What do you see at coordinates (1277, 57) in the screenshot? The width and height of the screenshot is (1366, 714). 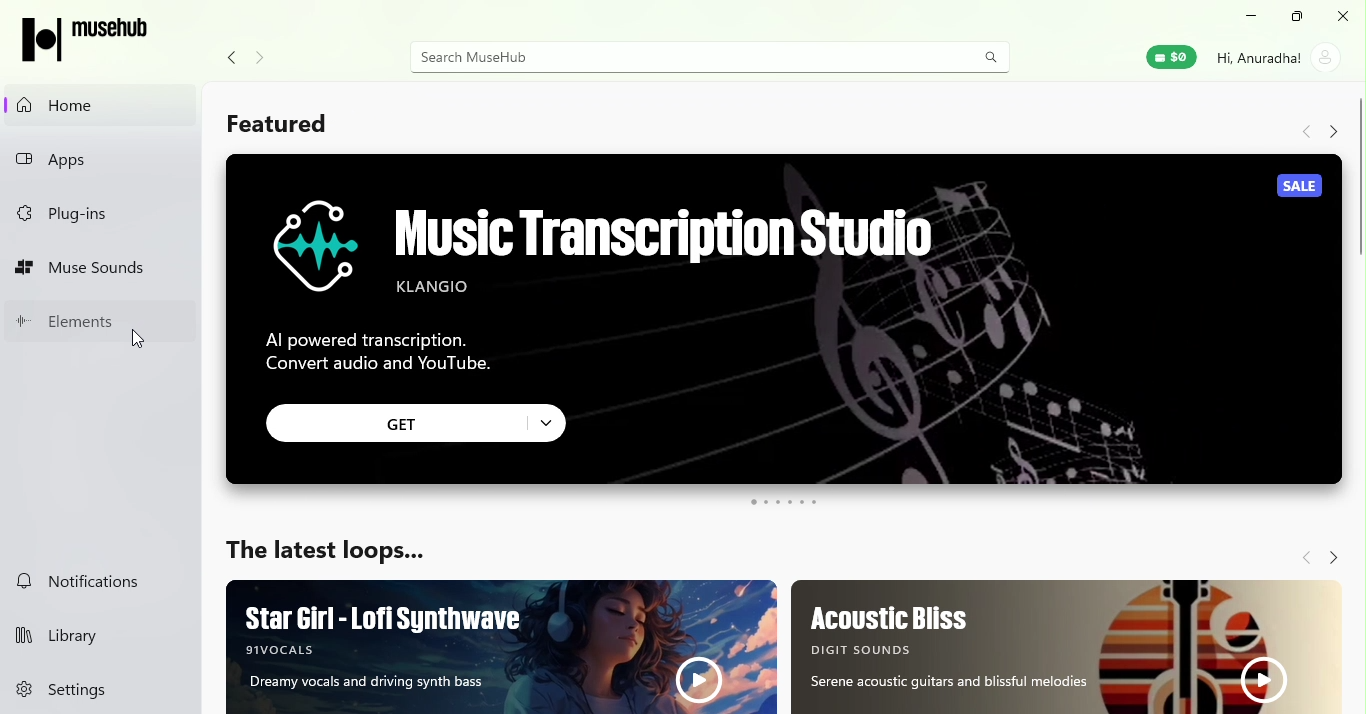 I see `Account` at bounding box center [1277, 57].